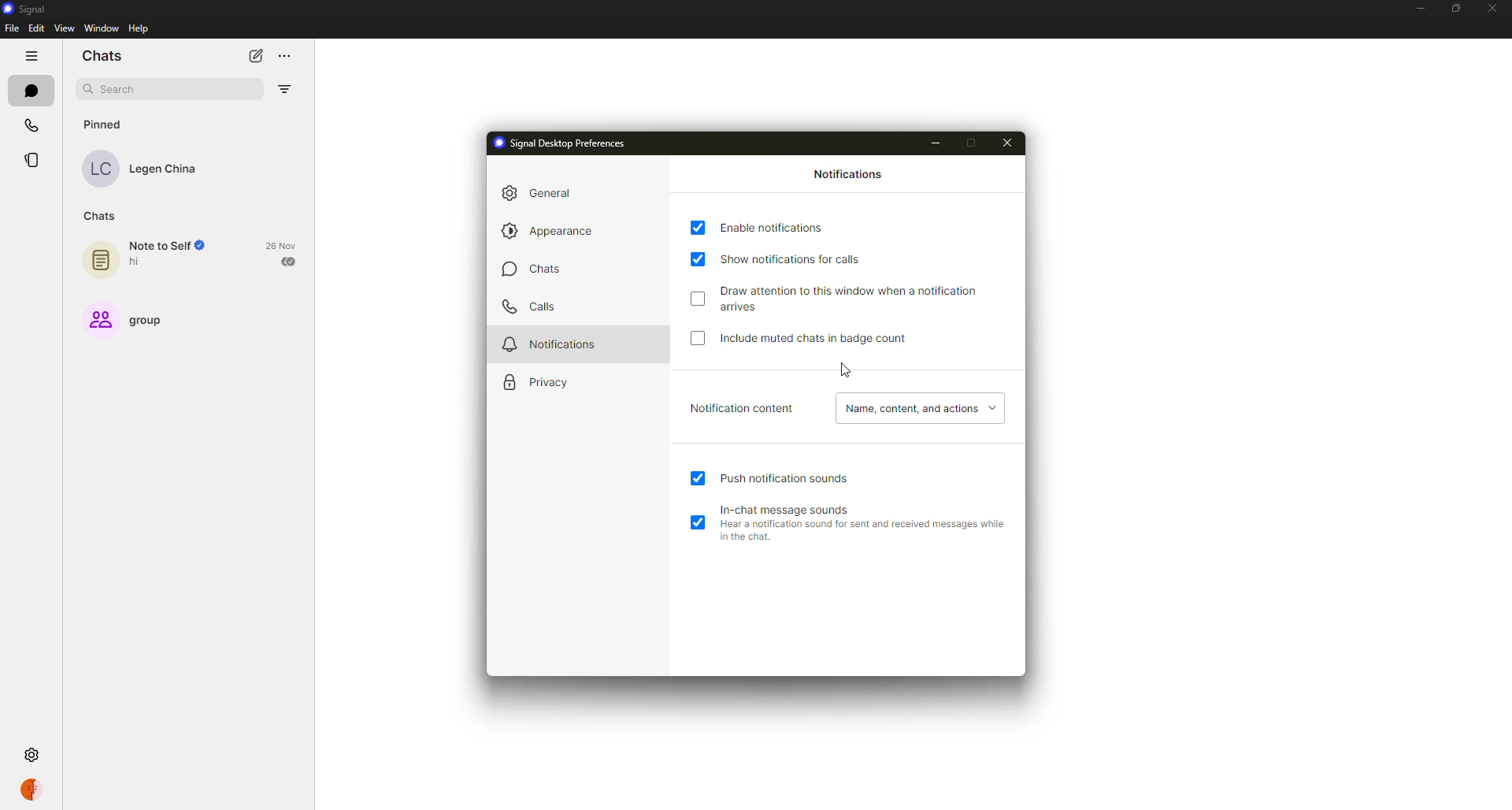  I want to click on edit, so click(36, 28).